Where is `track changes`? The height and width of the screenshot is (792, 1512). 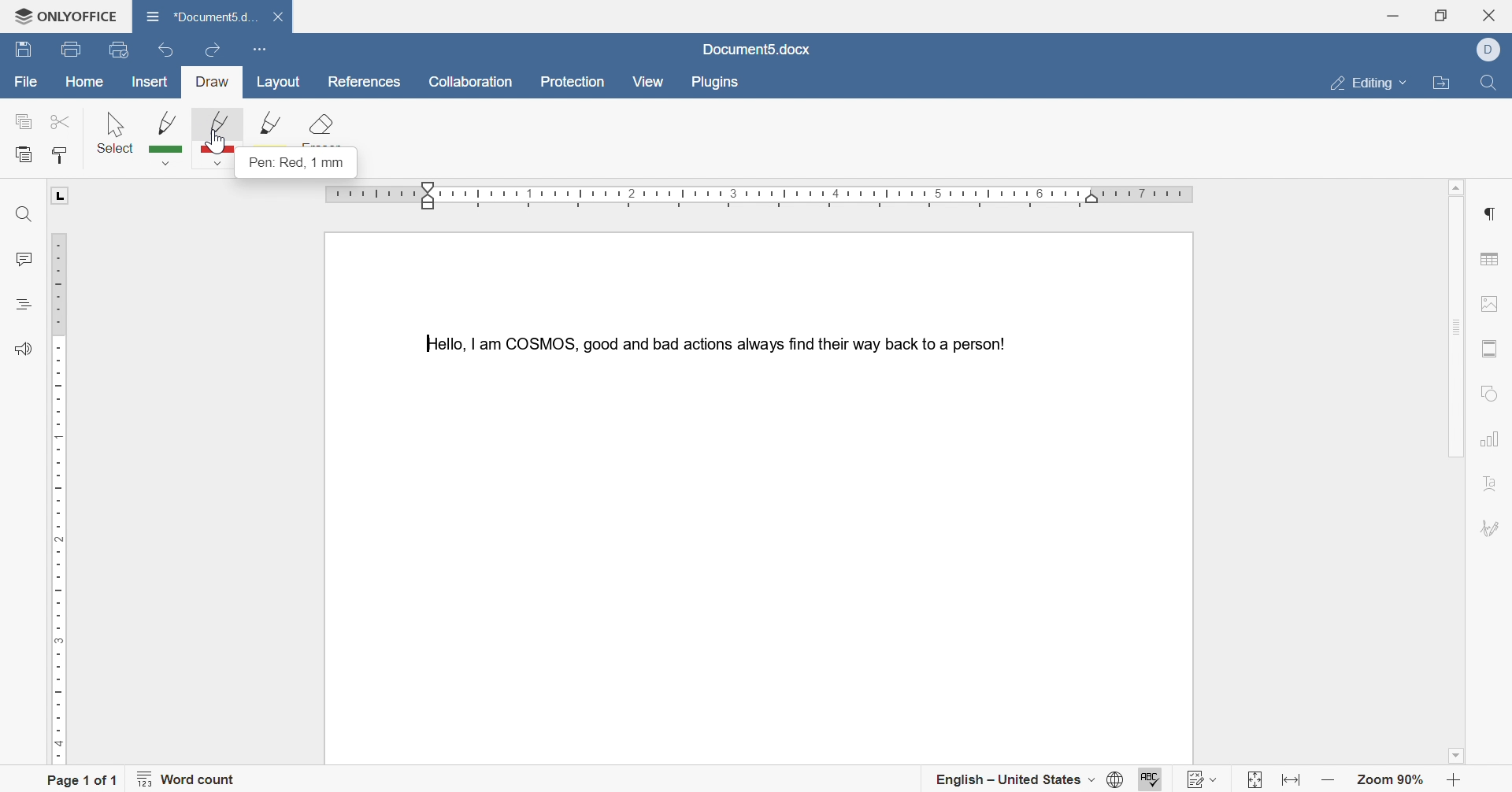
track changes is located at coordinates (1204, 776).